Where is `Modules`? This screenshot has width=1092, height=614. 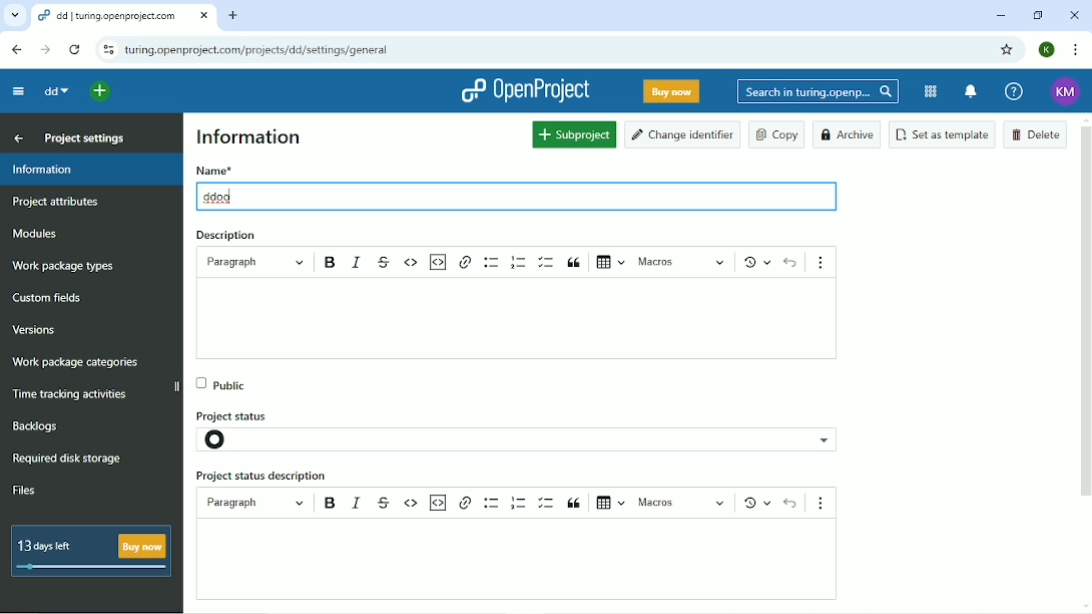 Modules is located at coordinates (33, 233).